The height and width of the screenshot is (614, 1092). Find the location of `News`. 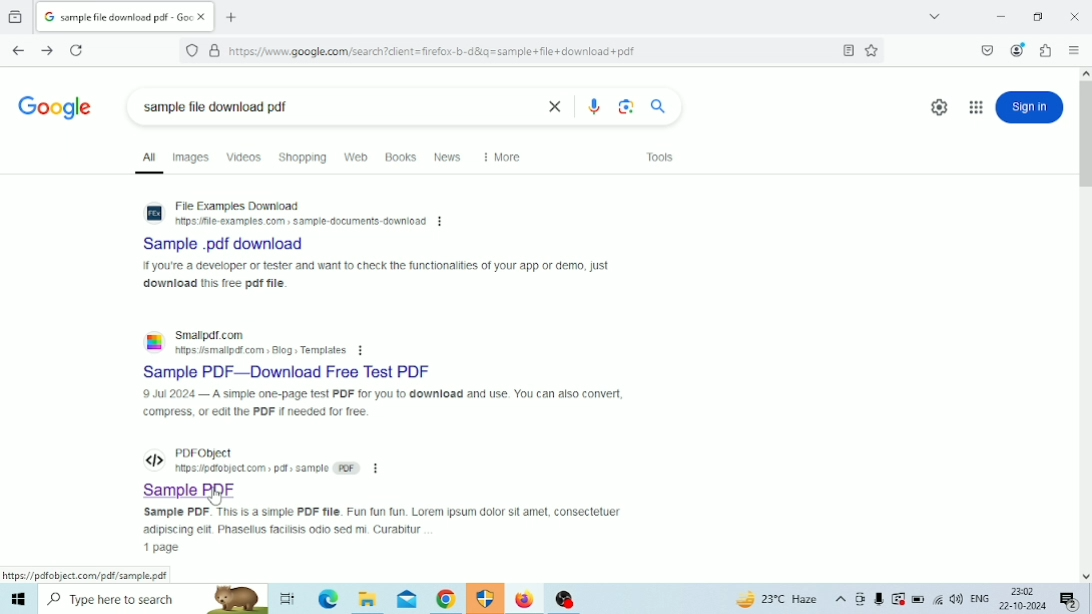

News is located at coordinates (450, 157).